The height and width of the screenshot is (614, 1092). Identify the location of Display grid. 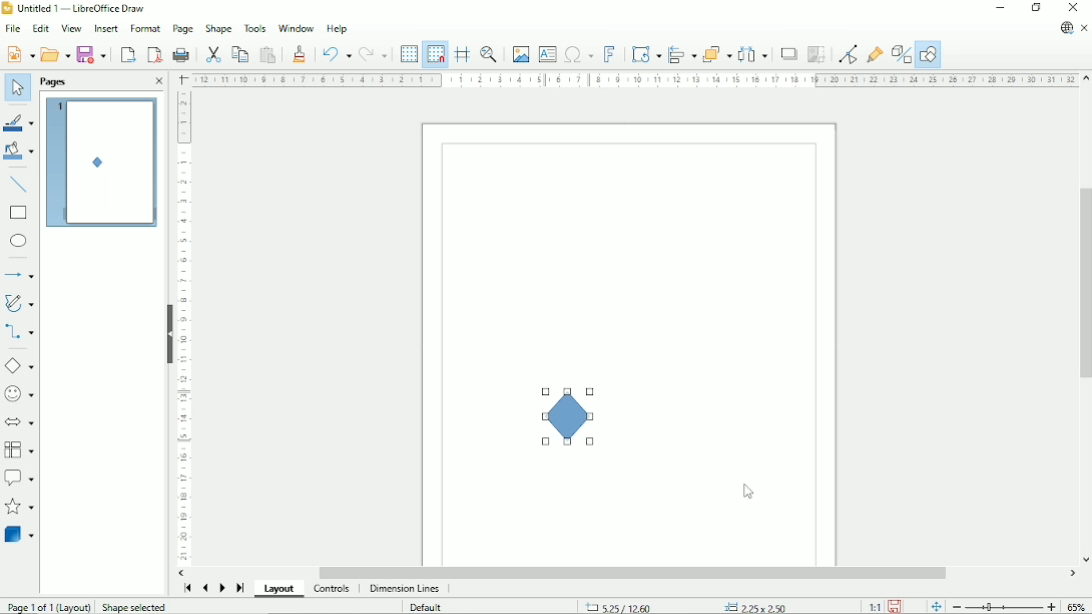
(409, 54).